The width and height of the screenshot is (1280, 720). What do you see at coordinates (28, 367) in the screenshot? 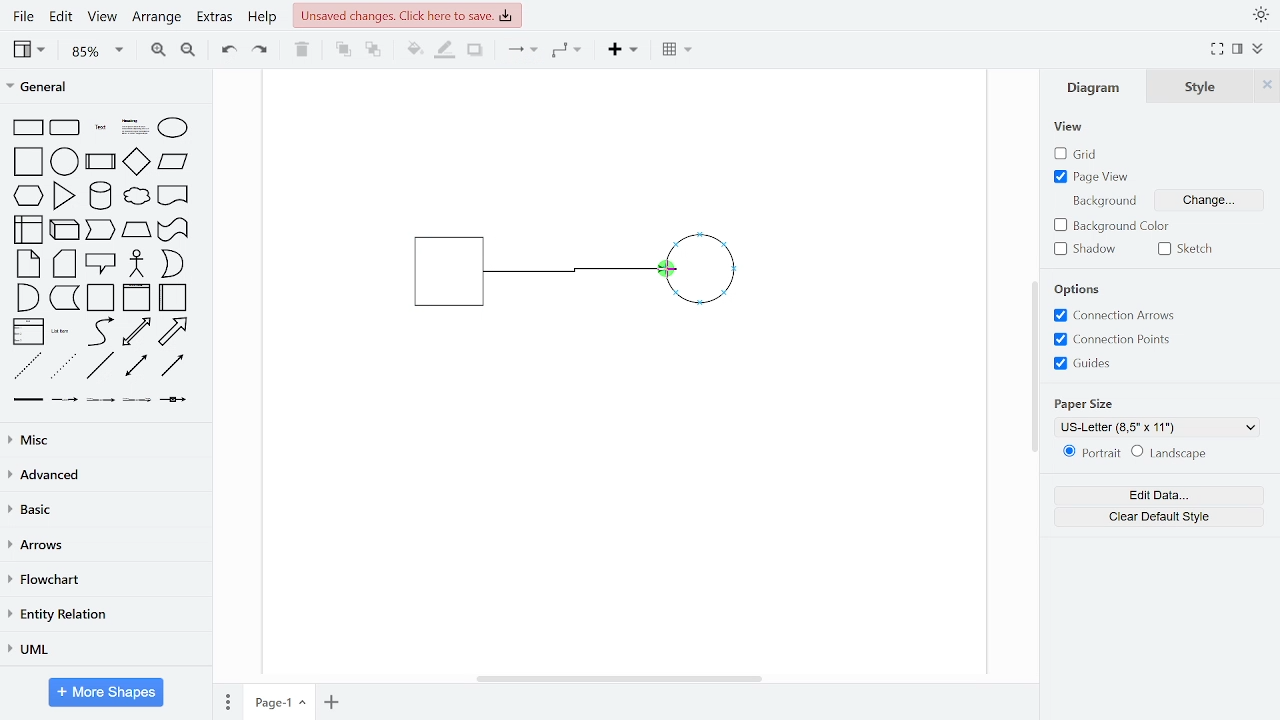
I see `dashed line` at bounding box center [28, 367].